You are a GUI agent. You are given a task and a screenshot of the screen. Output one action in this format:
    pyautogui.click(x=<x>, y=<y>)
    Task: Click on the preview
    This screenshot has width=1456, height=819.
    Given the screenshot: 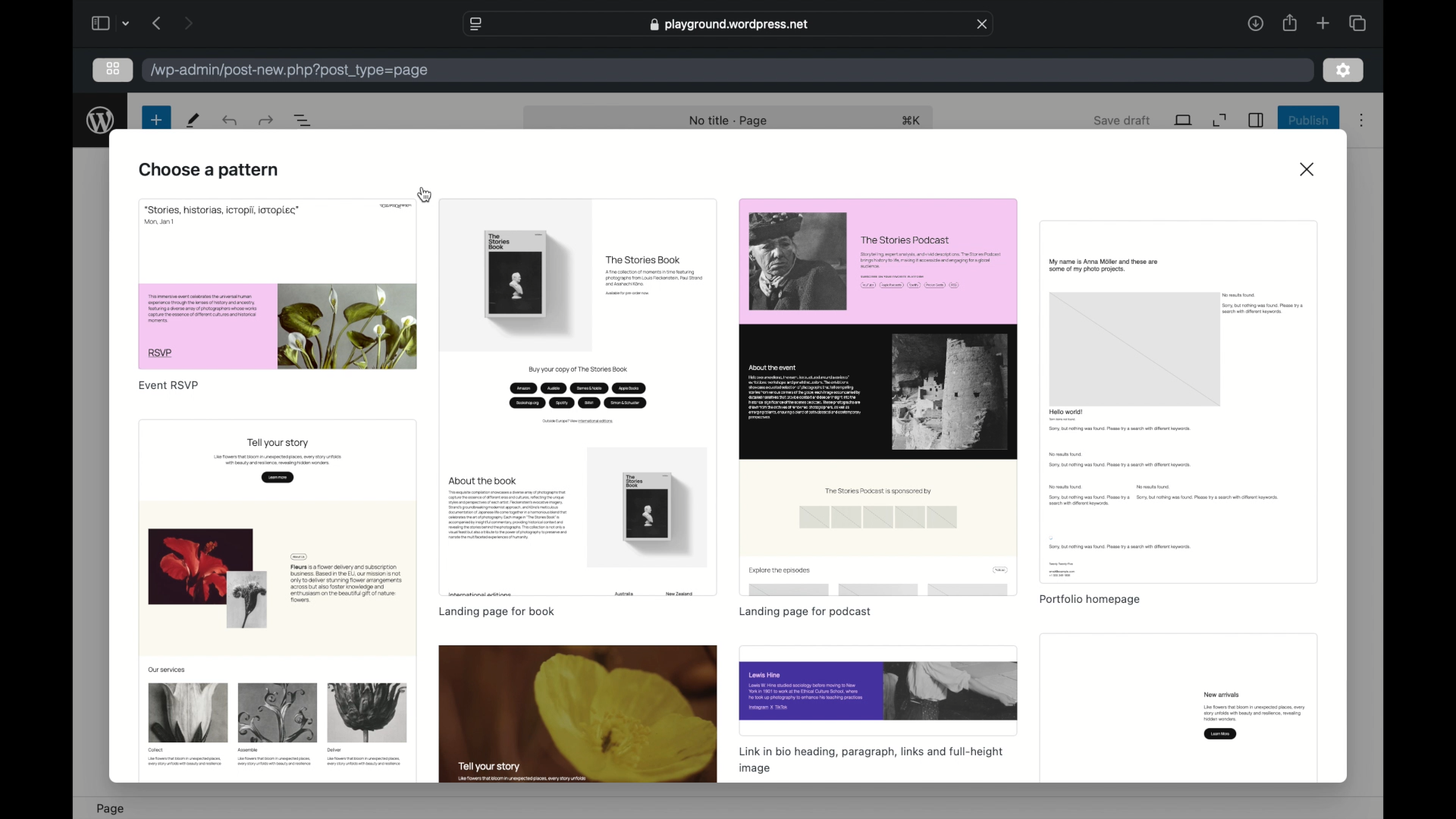 What is the action you would take?
    pyautogui.click(x=880, y=692)
    